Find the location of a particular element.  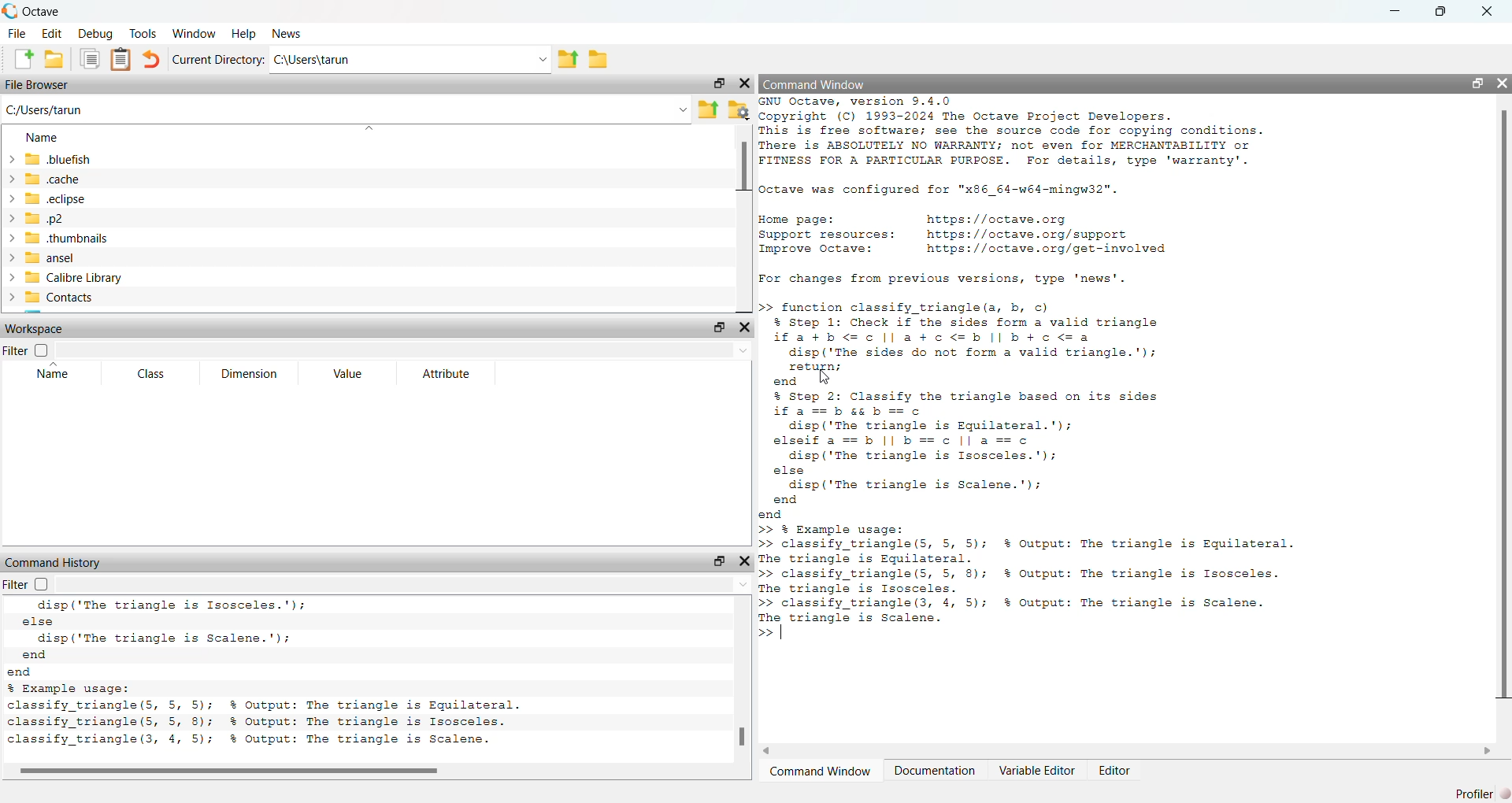

editor is located at coordinates (1115, 771).